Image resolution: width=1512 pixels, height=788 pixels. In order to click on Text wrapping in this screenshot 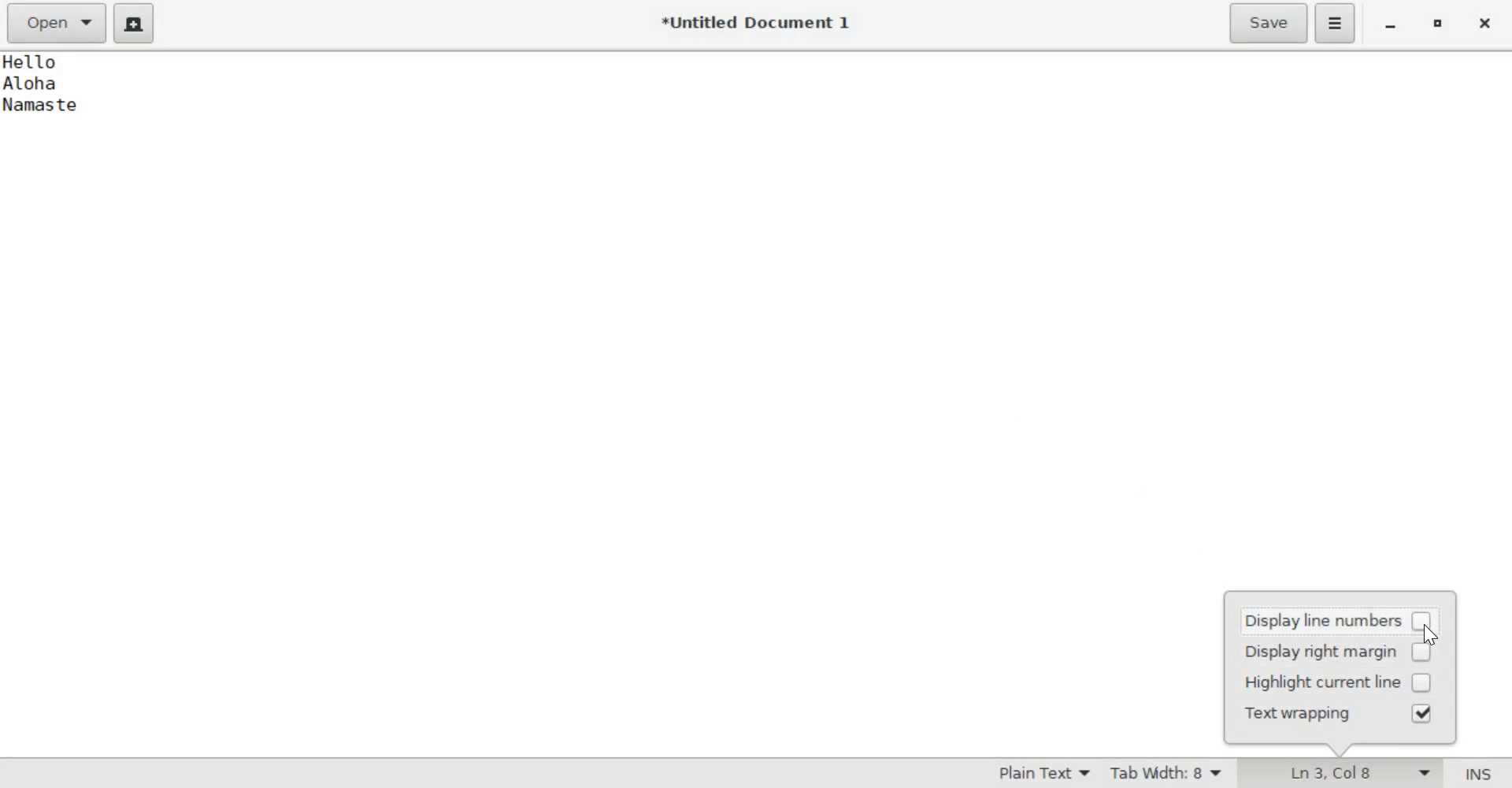, I will do `click(1310, 716)`.